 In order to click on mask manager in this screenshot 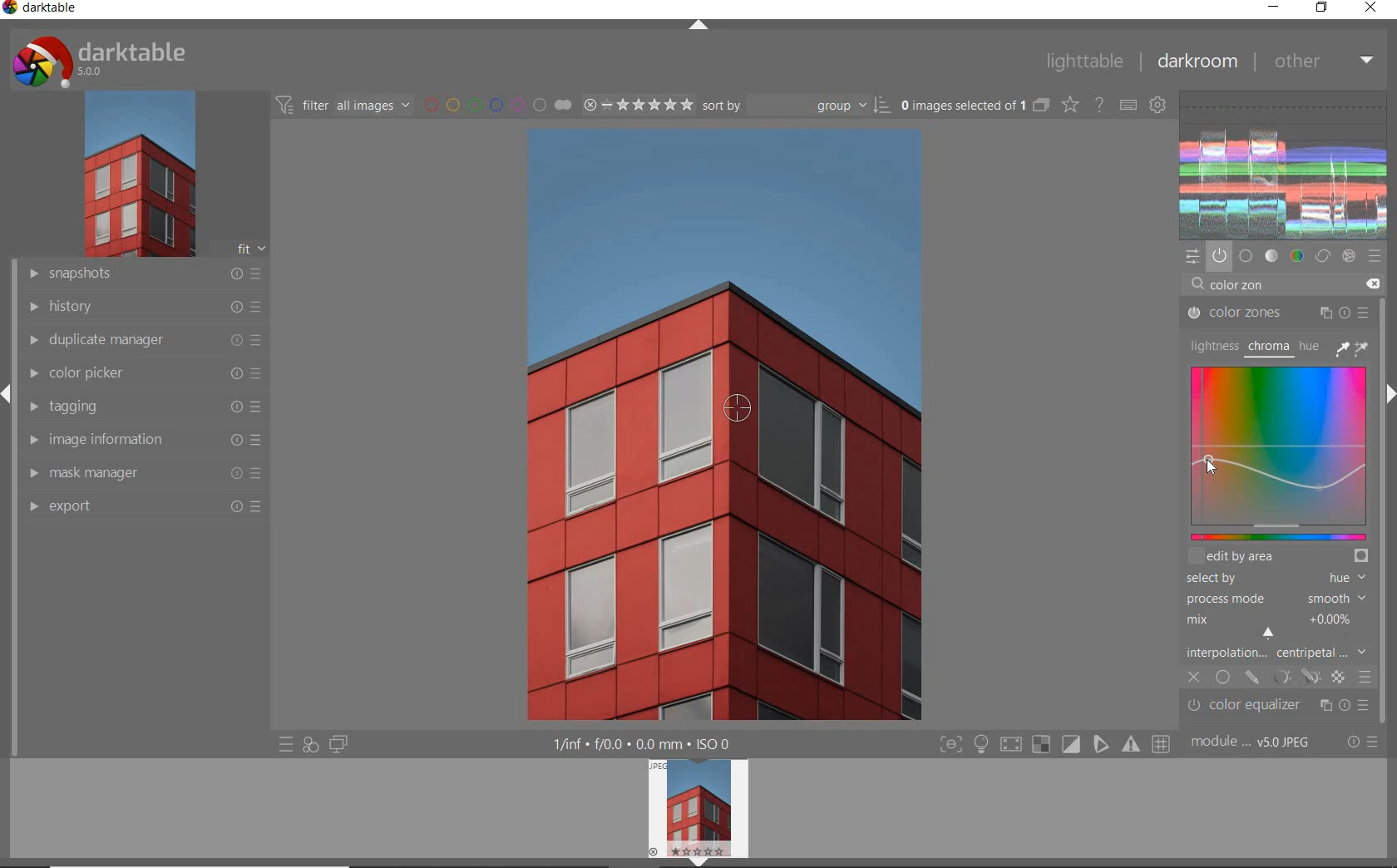, I will do `click(142, 472)`.